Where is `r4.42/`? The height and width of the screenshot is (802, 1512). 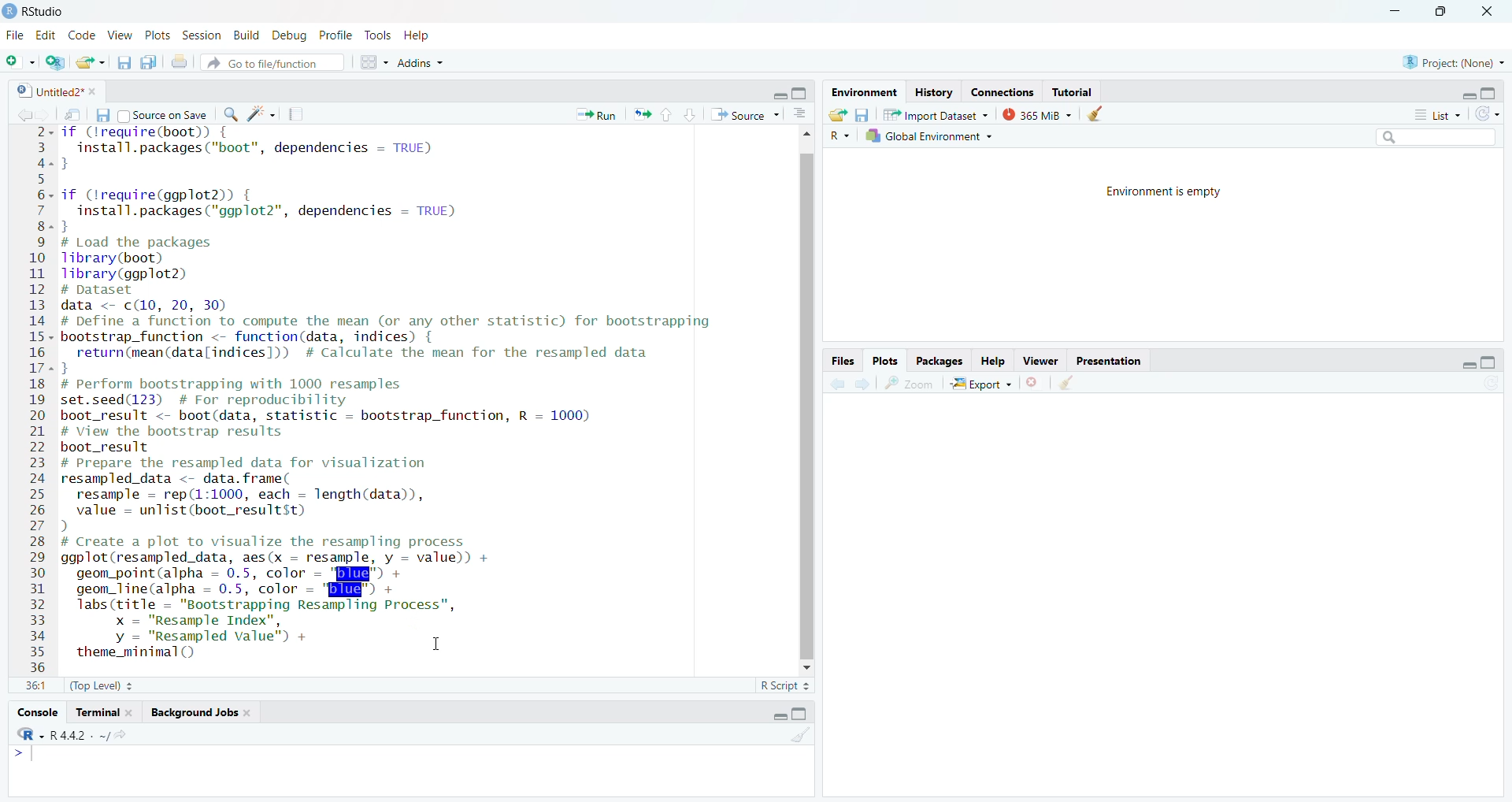 r4.42/ is located at coordinates (98, 733).